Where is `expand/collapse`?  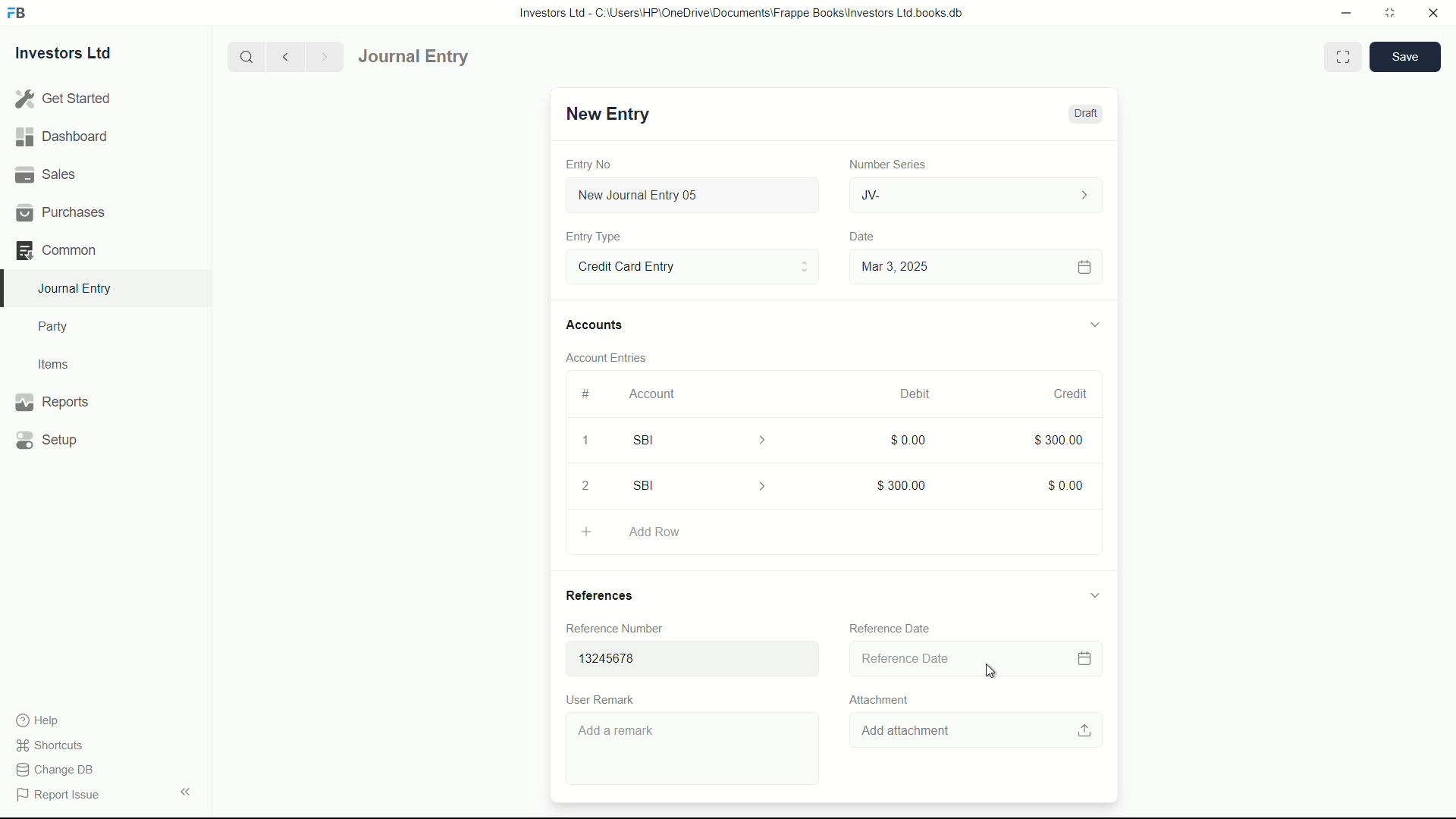 expand/collapse is located at coordinates (1094, 322).